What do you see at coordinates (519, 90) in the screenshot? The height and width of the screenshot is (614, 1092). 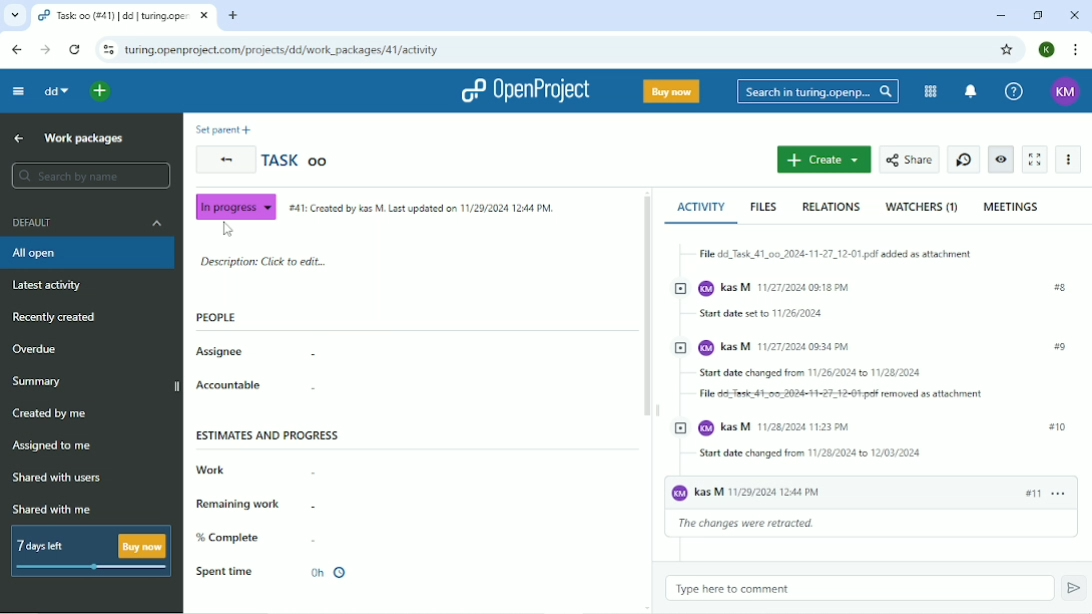 I see `OpenProject` at bounding box center [519, 90].